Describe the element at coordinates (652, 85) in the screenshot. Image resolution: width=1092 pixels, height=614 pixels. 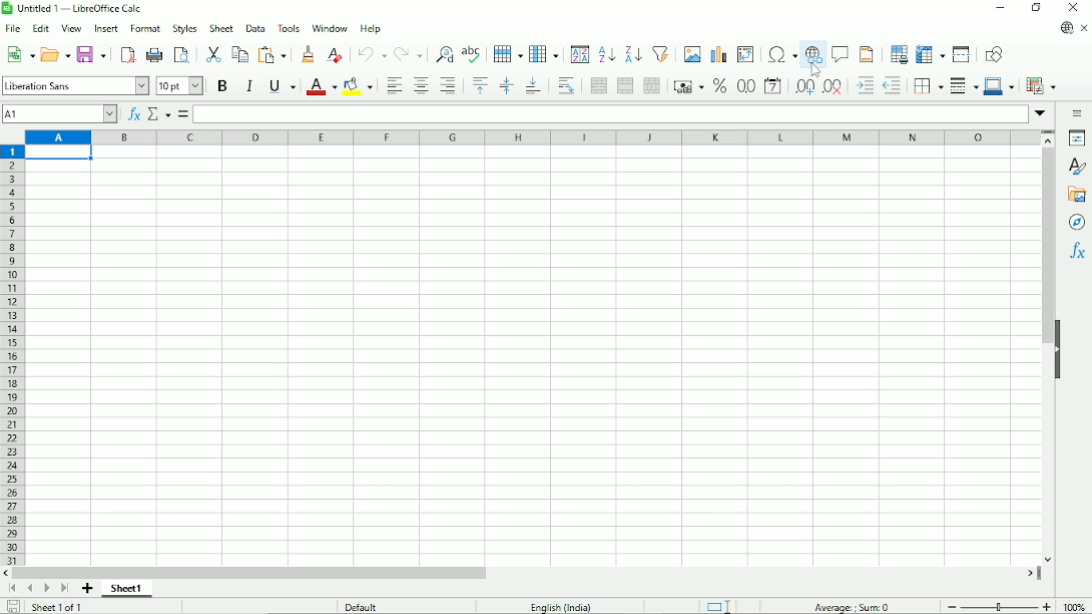
I see `Unmerge cells` at that location.